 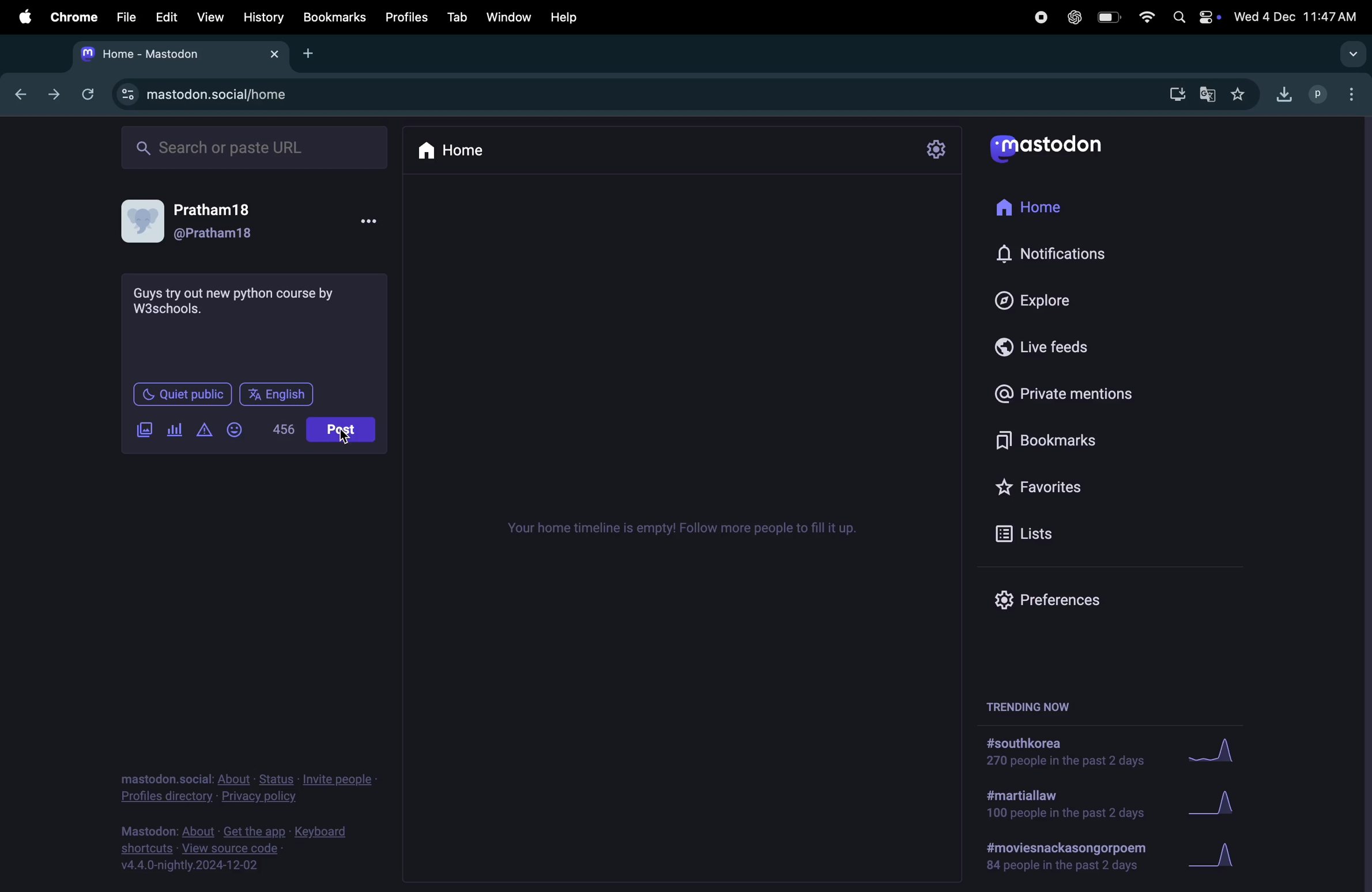 I want to click on Bookmark, so click(x=334, y=18).